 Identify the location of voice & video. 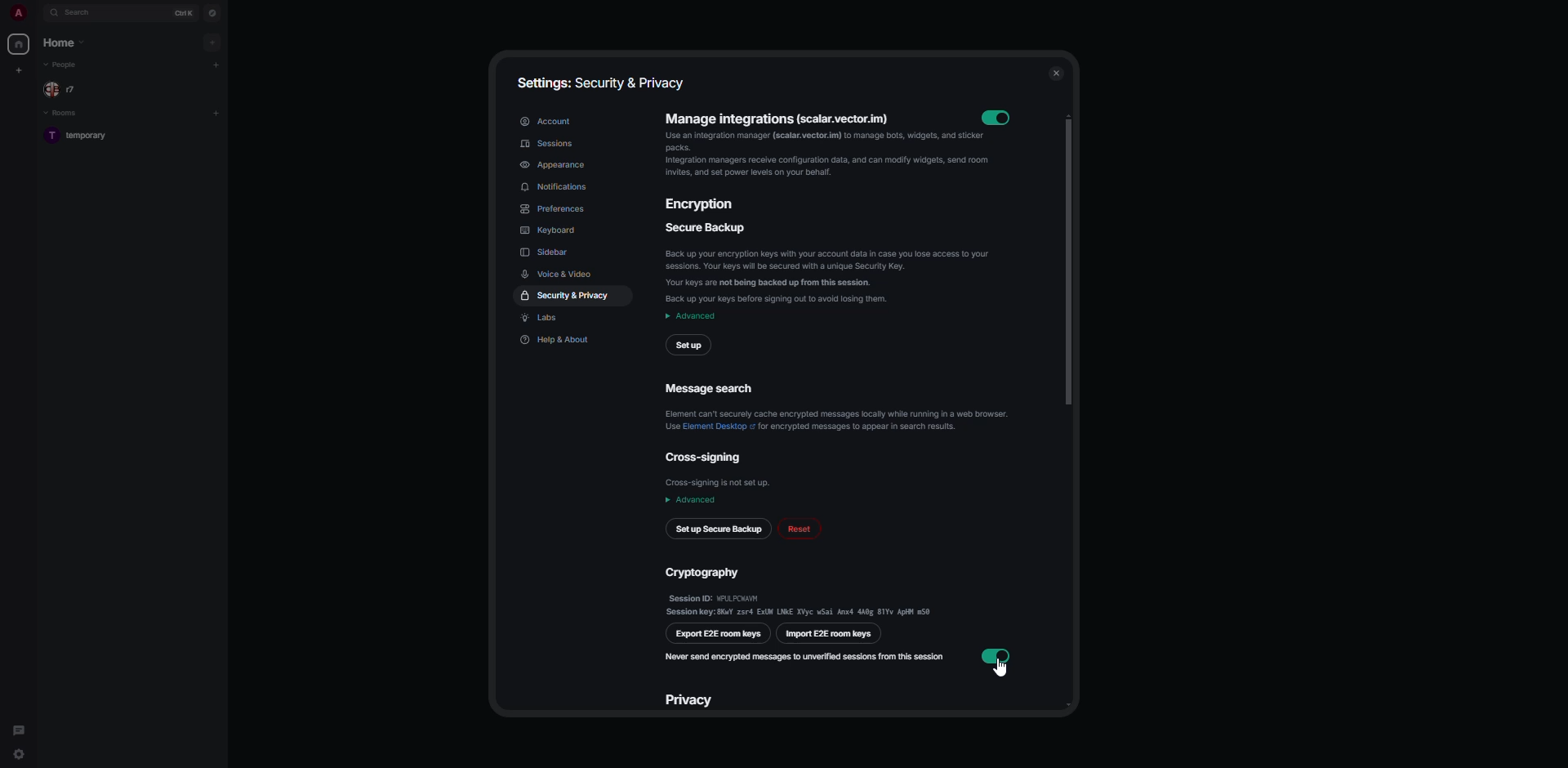
(560, 273).